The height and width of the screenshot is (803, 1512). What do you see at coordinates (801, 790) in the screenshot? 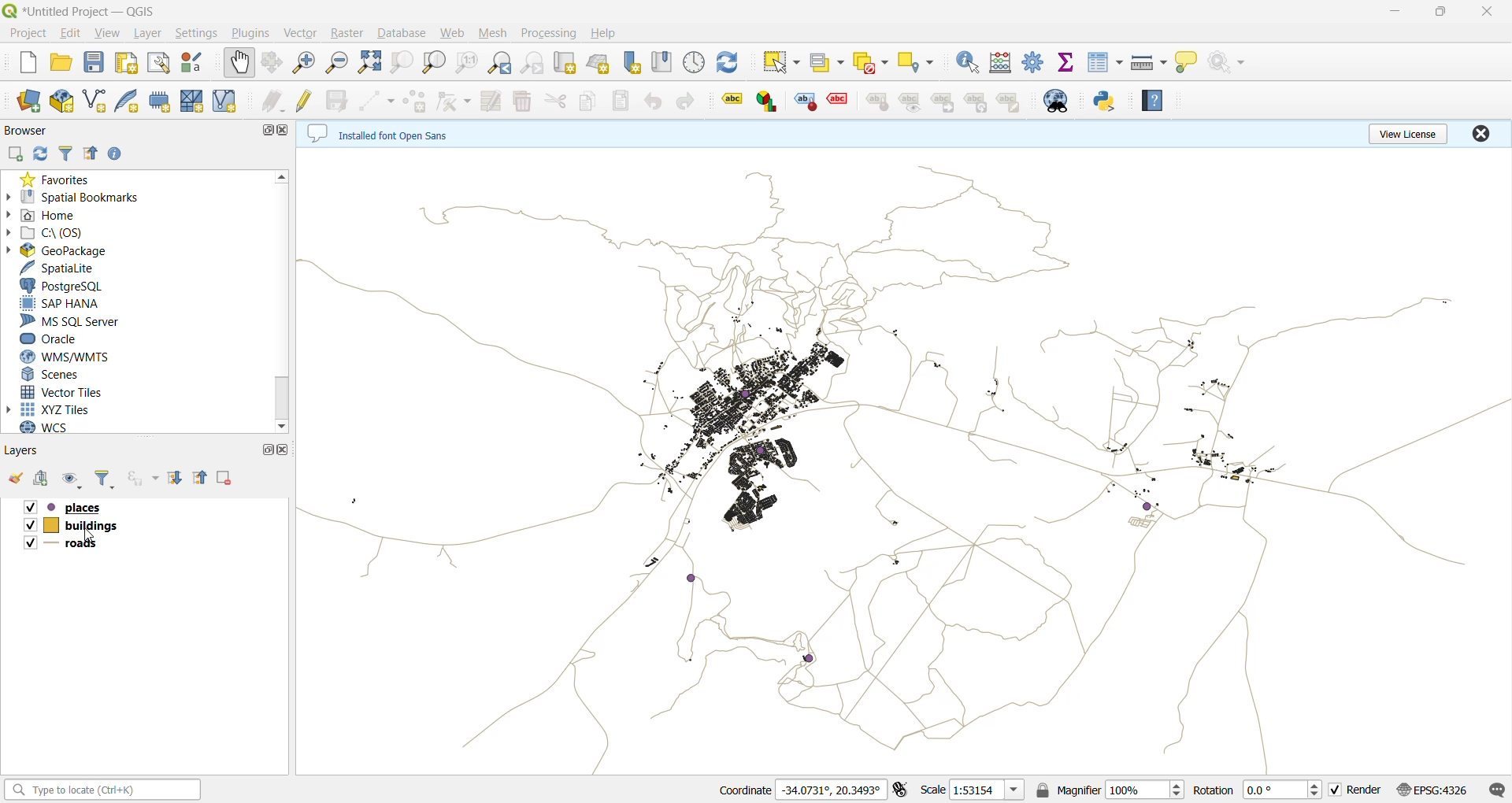
I see `coordinates` at bounding box center [801, 790].